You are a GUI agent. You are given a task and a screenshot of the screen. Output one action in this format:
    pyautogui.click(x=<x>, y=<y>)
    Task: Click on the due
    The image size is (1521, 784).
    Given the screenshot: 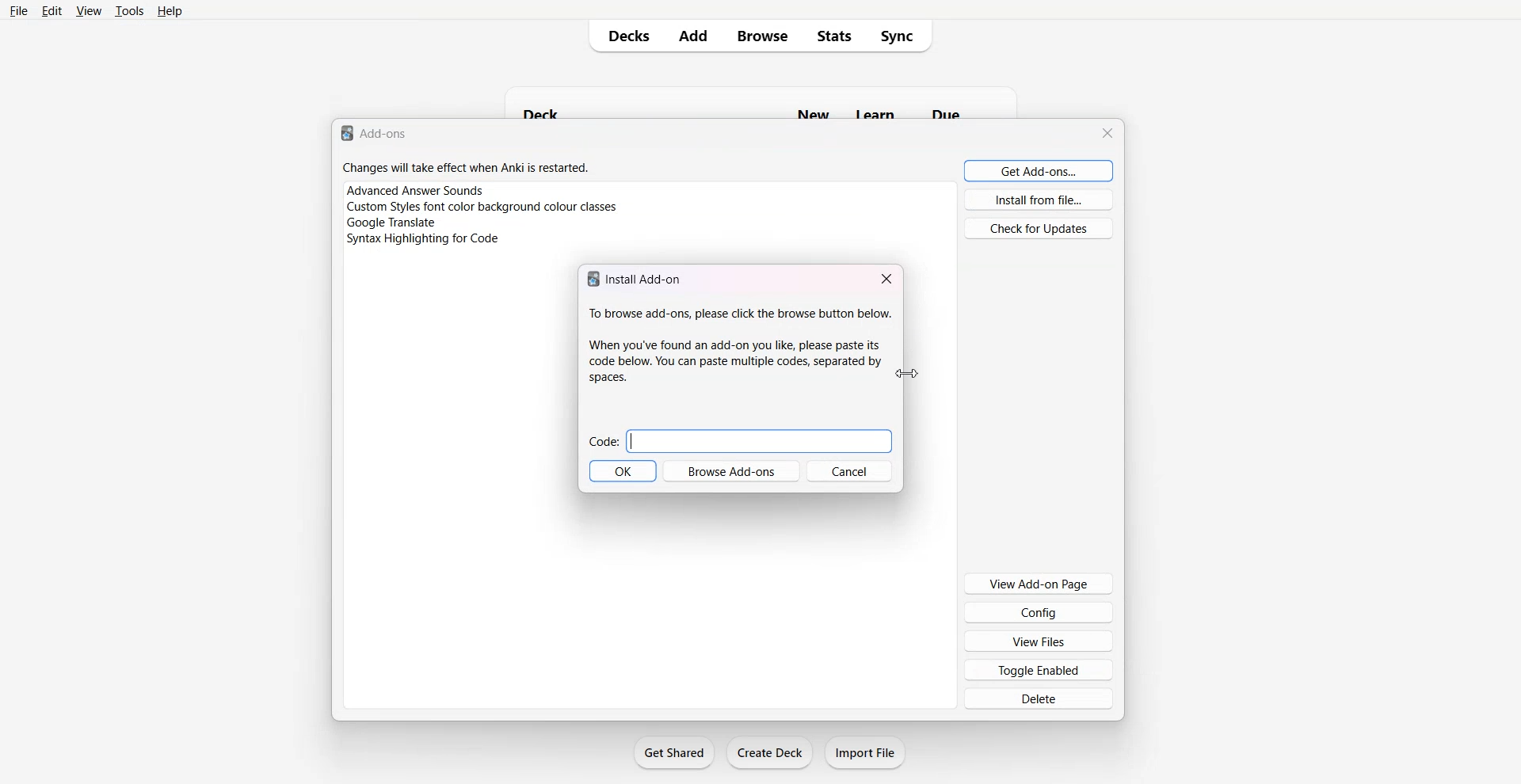 What is the action you would take?
    pyautogui.click(x=946, y=113)
    